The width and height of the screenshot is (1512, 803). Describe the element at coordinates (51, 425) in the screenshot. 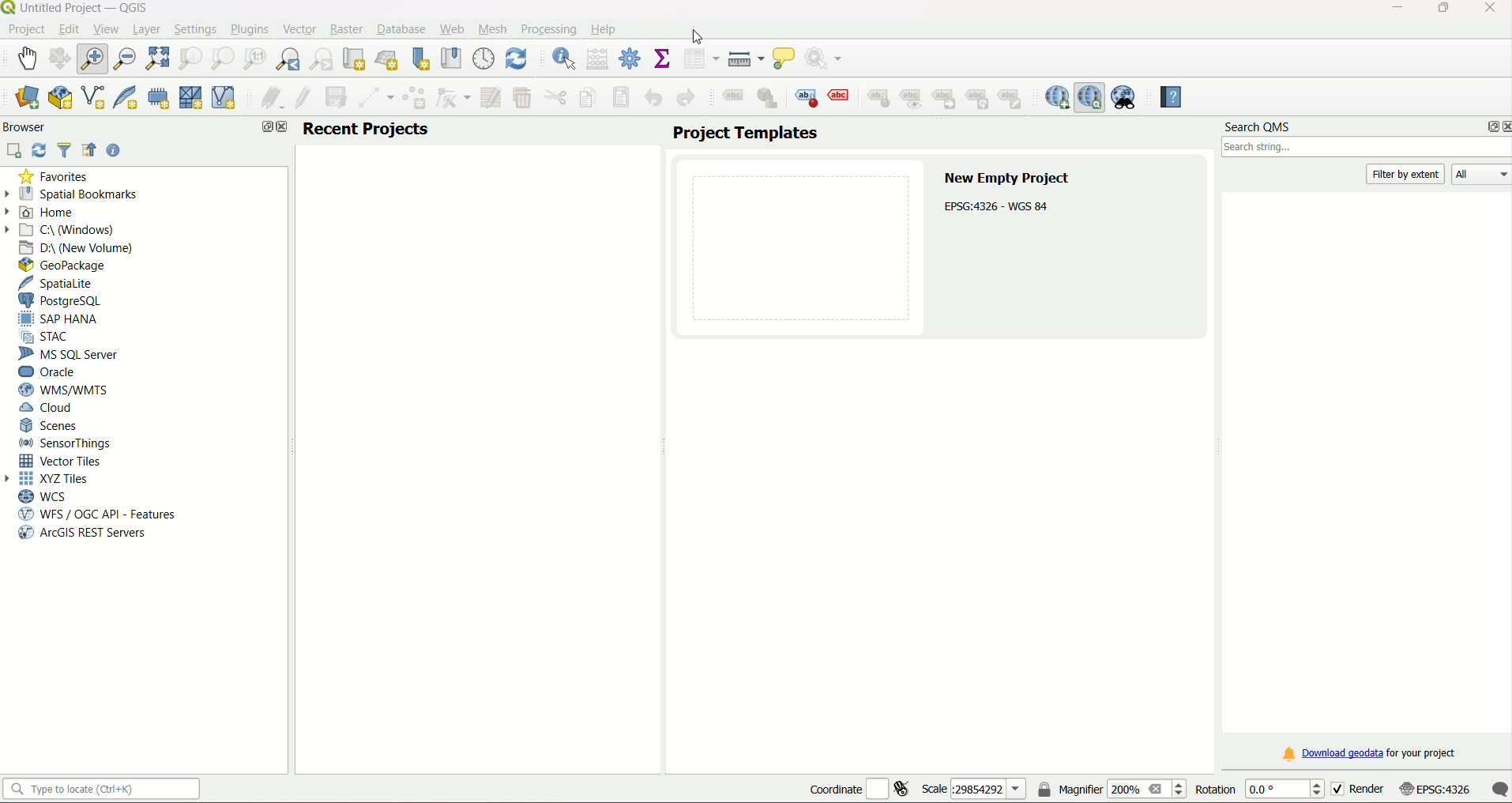

I see `Scenes` at that location.